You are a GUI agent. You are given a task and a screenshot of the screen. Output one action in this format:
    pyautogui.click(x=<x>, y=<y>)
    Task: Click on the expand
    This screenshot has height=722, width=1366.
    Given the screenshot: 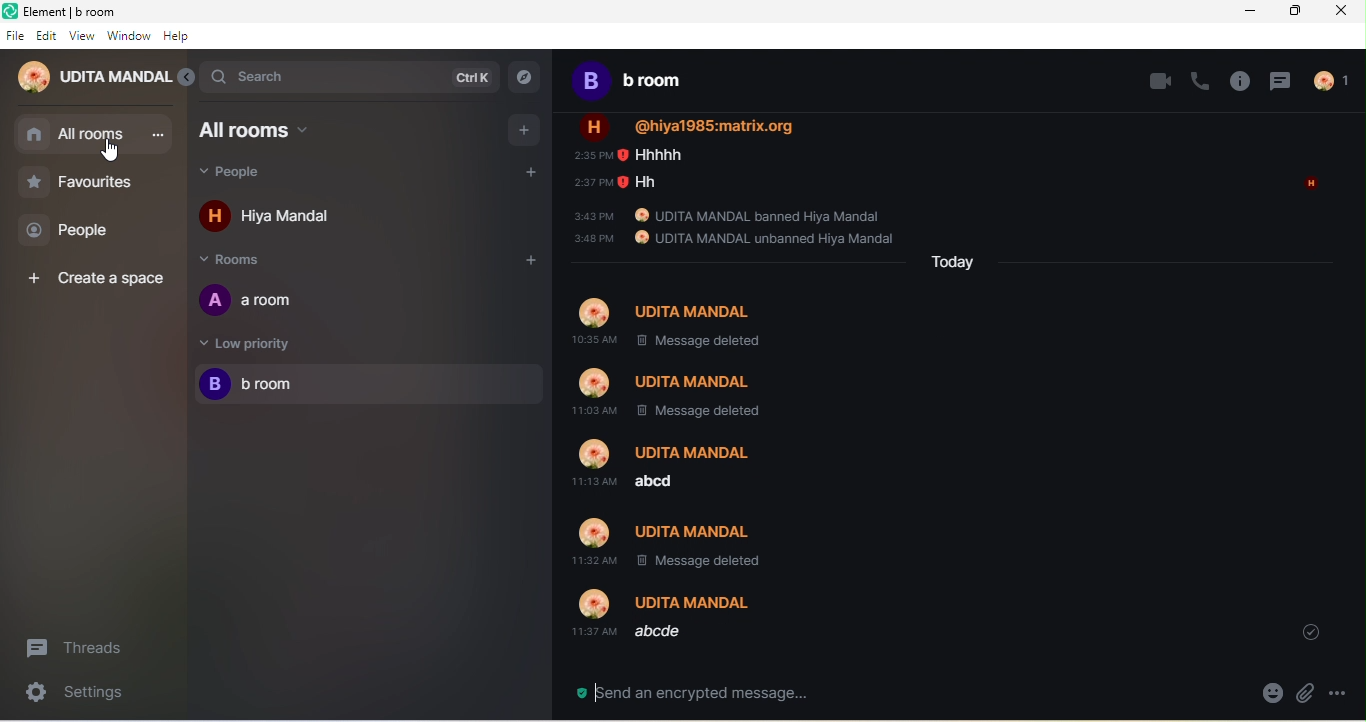 What is the action you would take?
    pyautogui.click(x=187, y=79)
    